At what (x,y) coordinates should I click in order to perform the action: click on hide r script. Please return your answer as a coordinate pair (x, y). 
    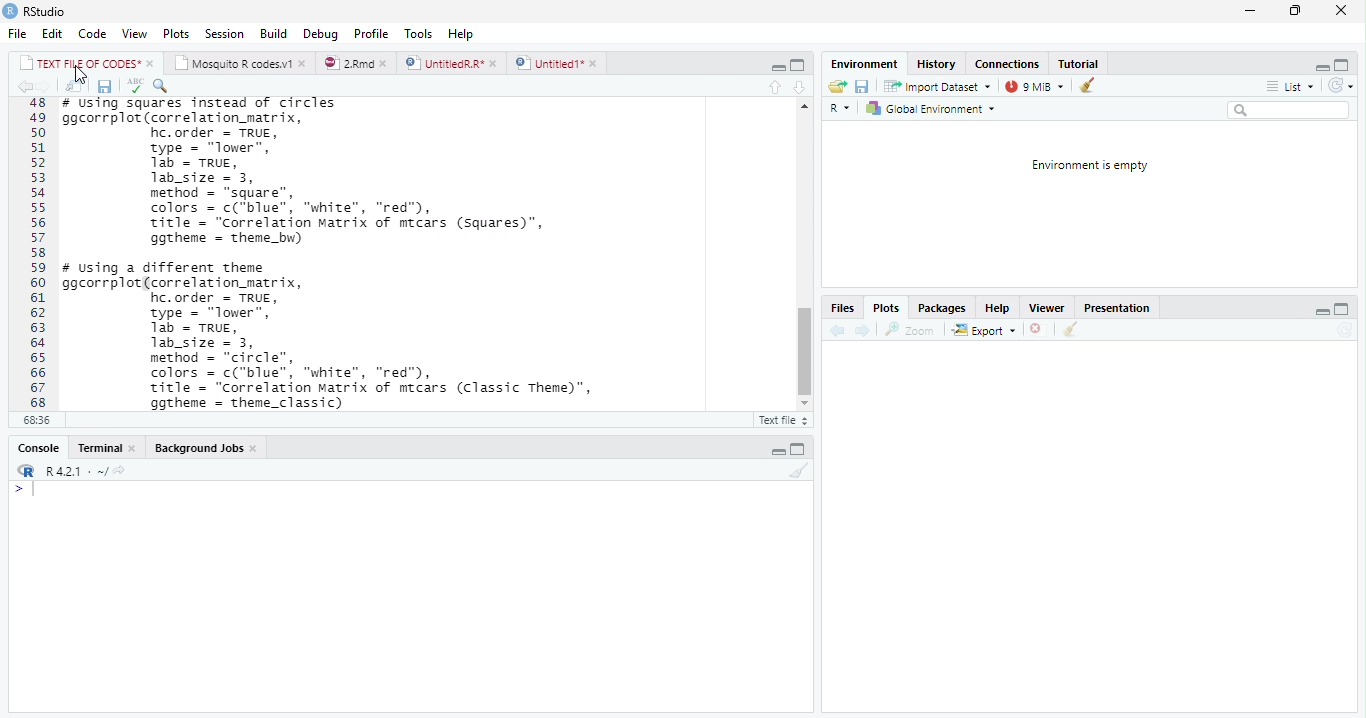
    Looking at the image, I should click on (777, 450).